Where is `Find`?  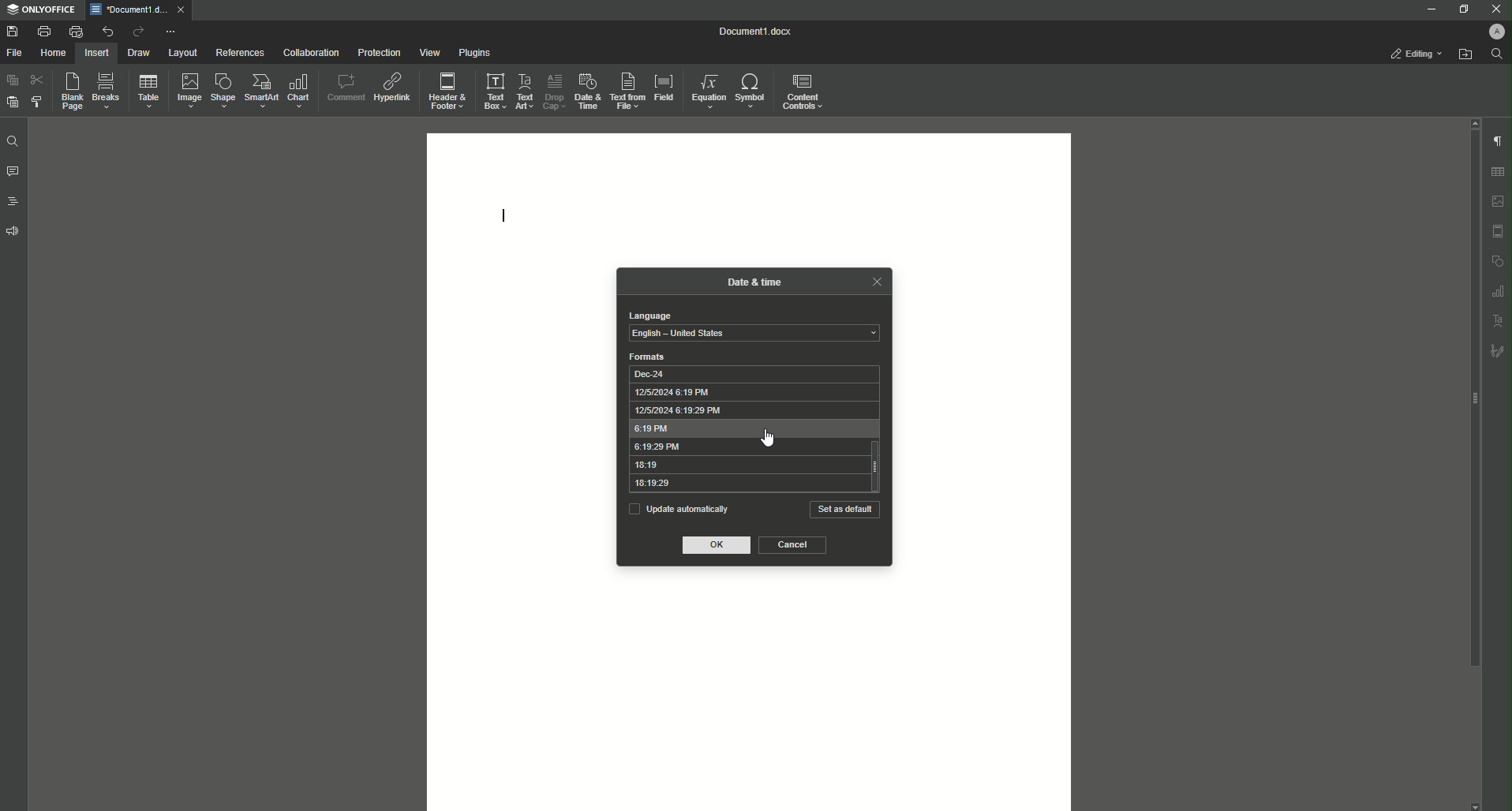 Find is located at coordinates (1496, 54).